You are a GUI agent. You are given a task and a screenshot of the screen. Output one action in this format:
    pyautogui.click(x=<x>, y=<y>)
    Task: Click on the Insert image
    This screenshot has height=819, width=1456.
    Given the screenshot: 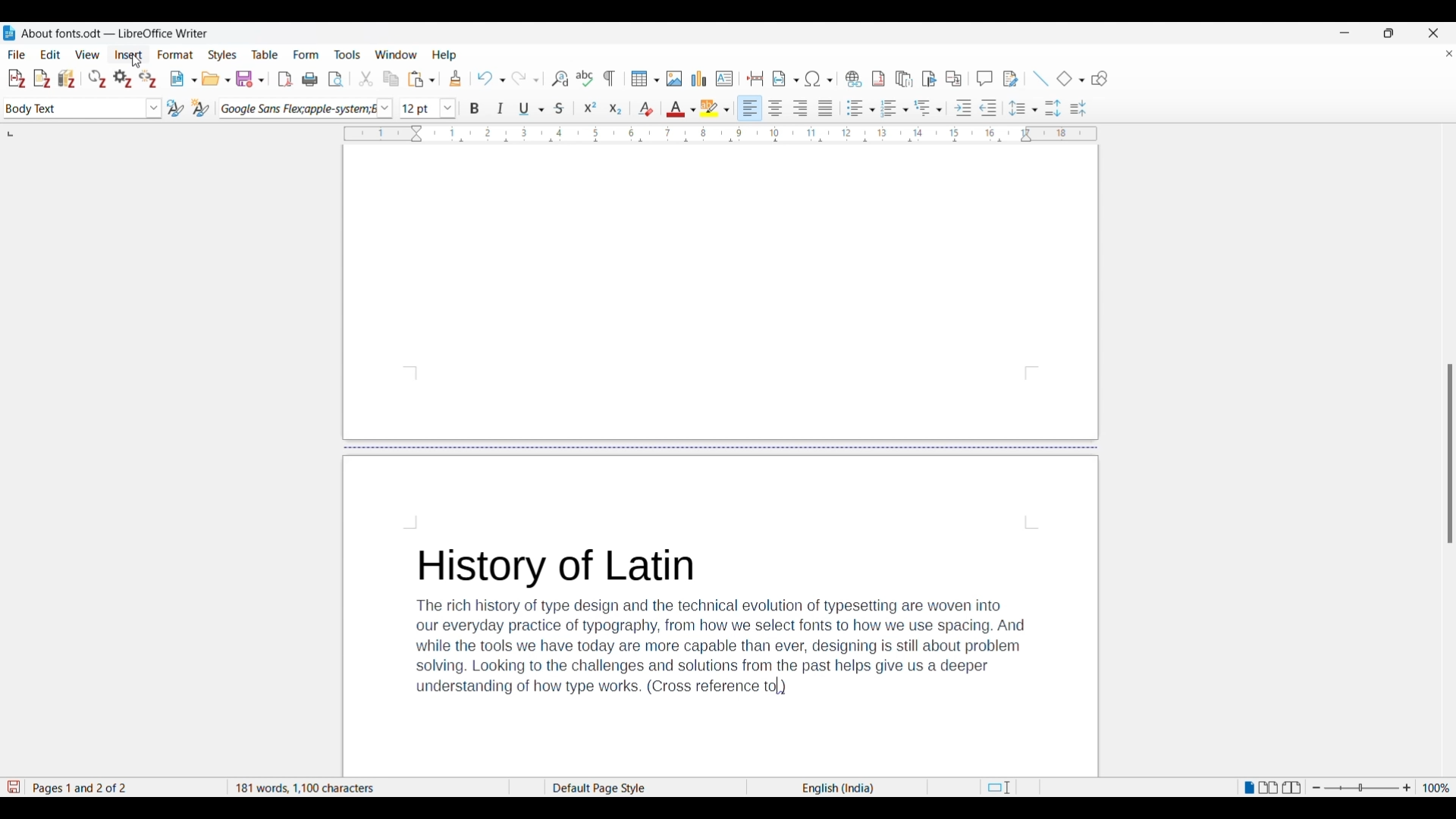 What is the action you would take?
    pyautogui.click(x=674, y=79)
    